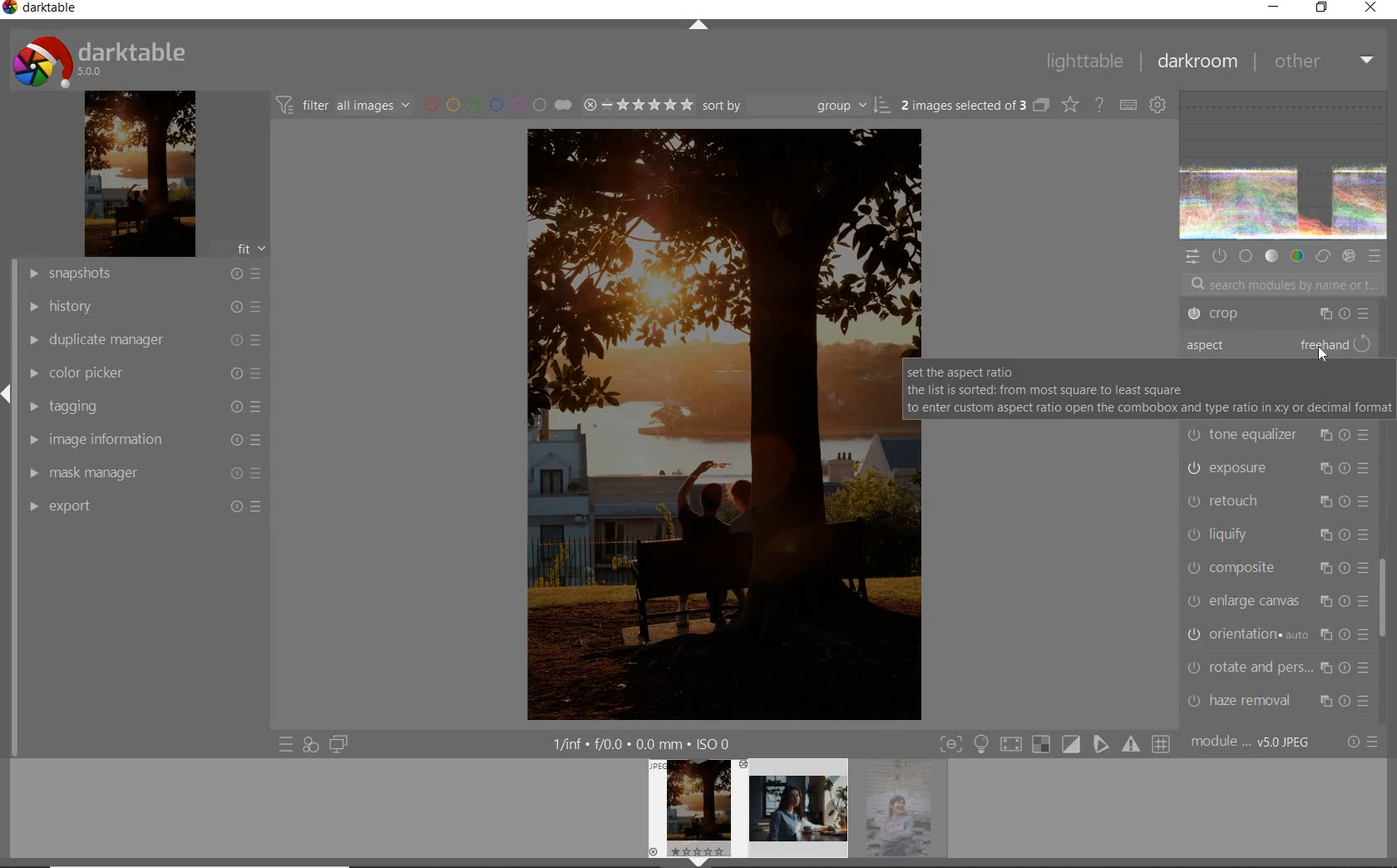 This screenshot has height=868, width=1397. I want to click on liquify, so click(1279, 536).